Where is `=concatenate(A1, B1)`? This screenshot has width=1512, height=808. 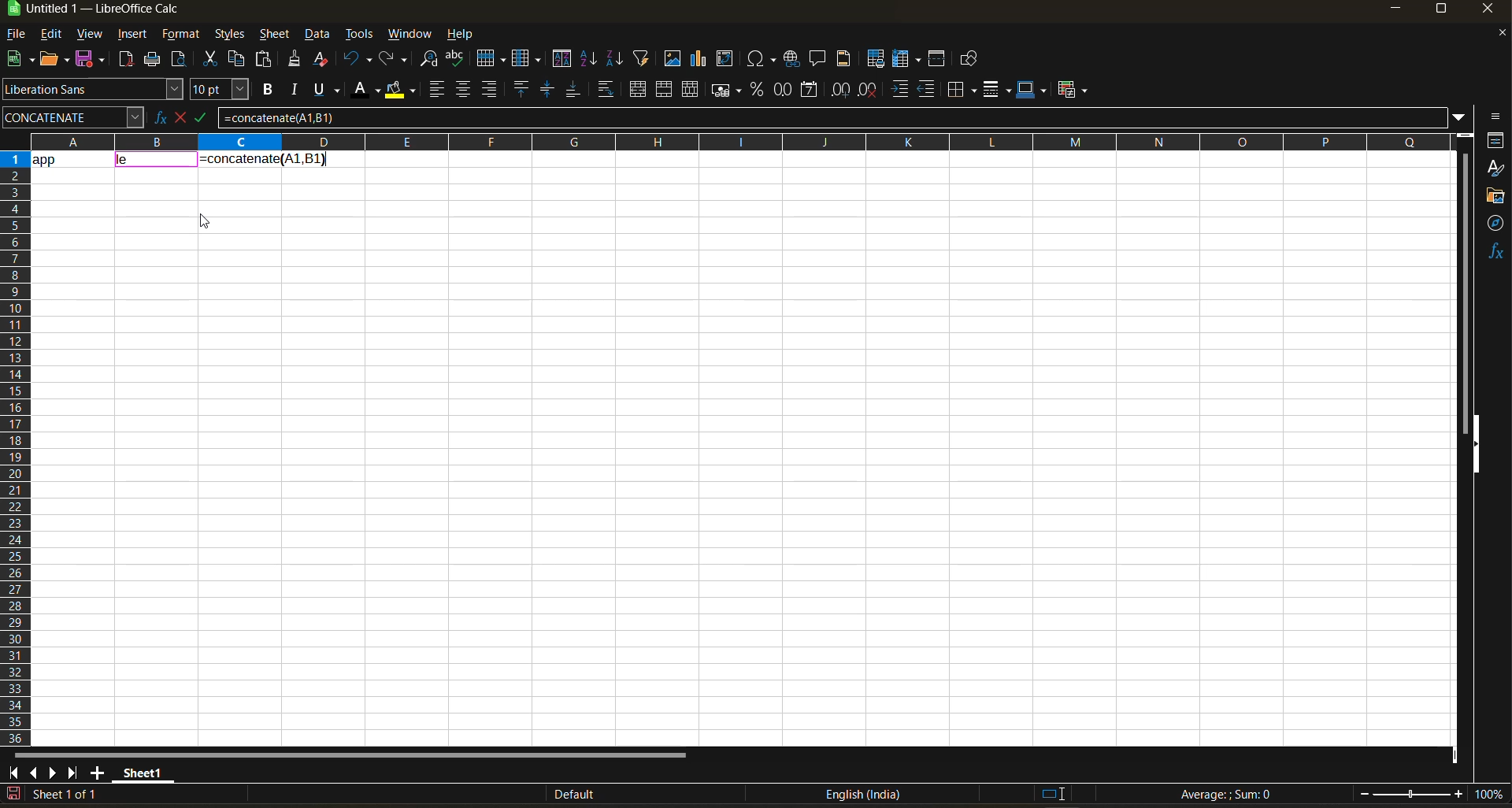
=concatenate(A1, B1) is located at coordinates (832, 120).